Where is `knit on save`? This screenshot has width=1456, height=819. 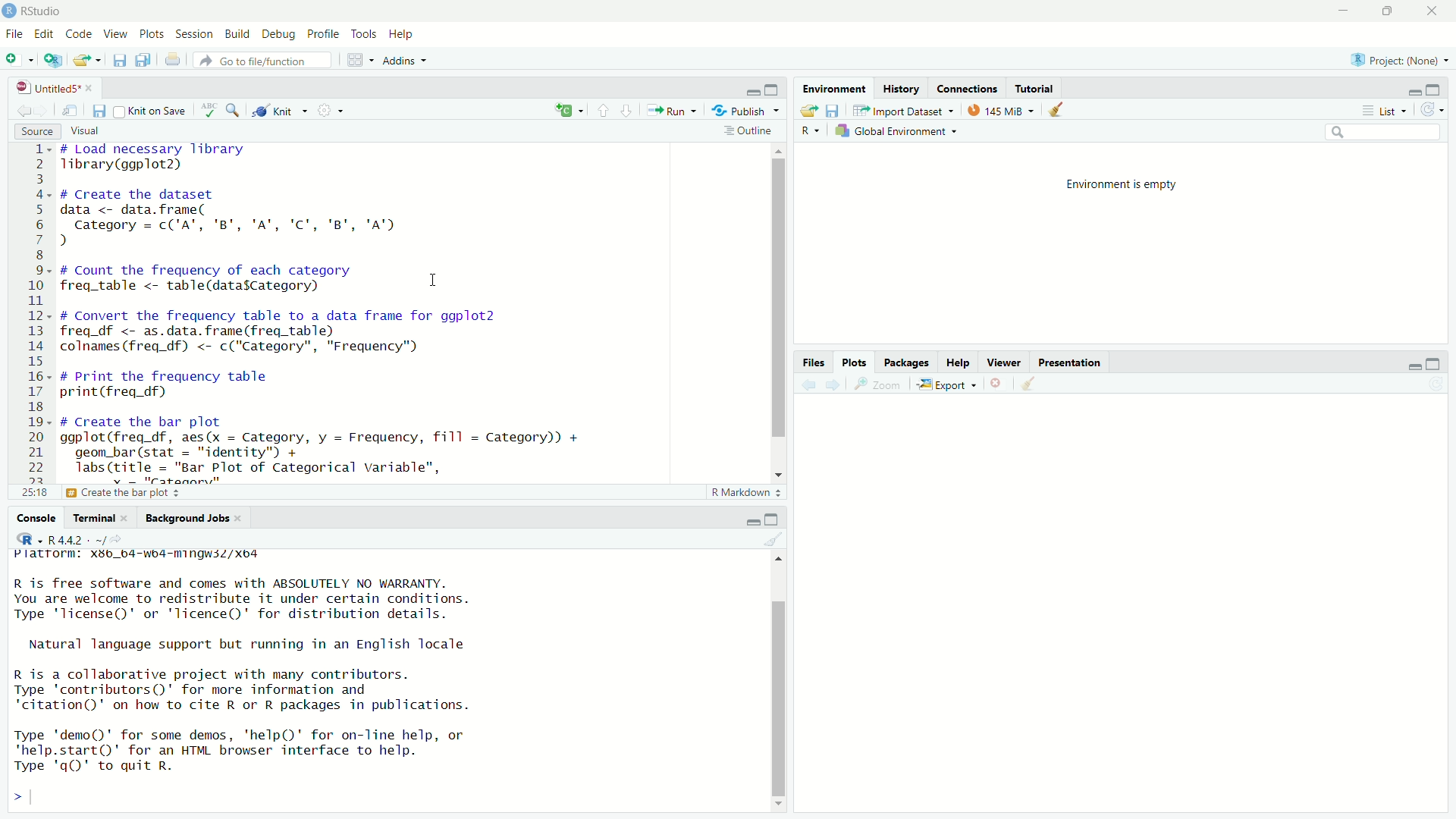
knit on save is located at coordinates (152, 111).